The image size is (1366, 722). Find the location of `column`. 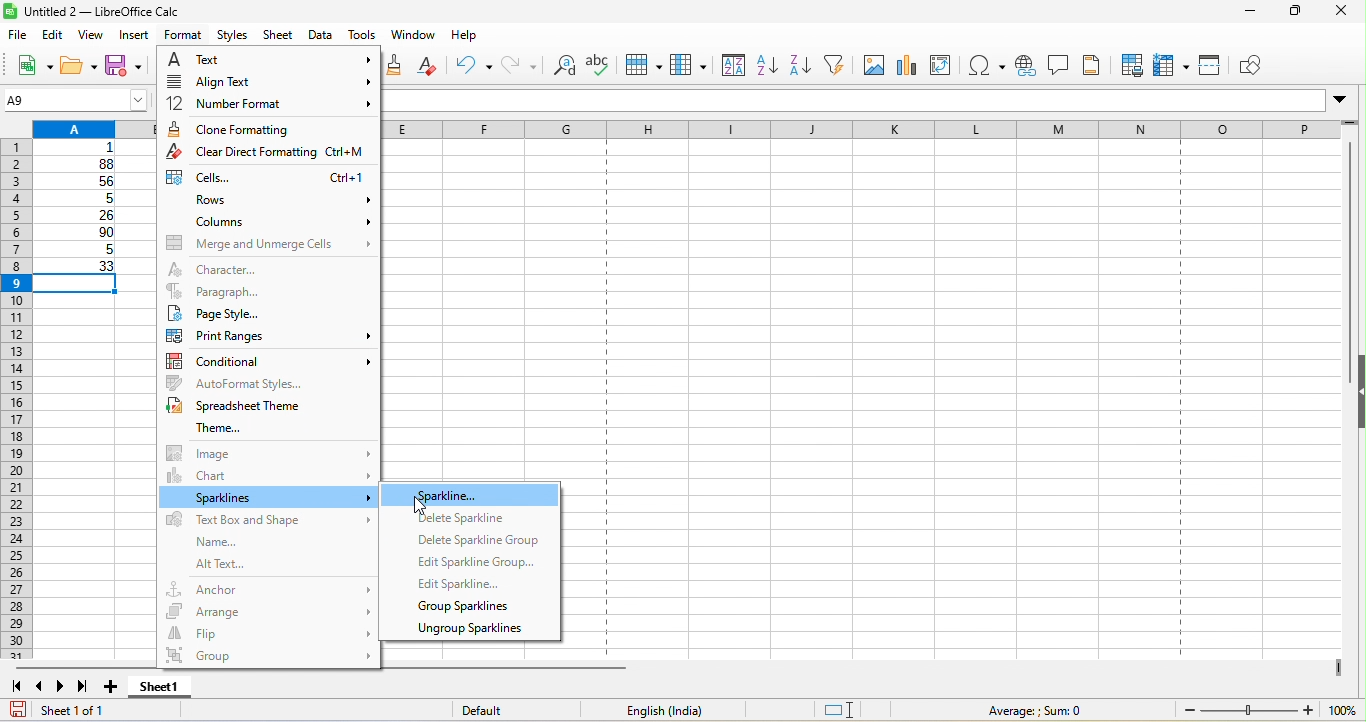

column is located at coordinates (689, 67).